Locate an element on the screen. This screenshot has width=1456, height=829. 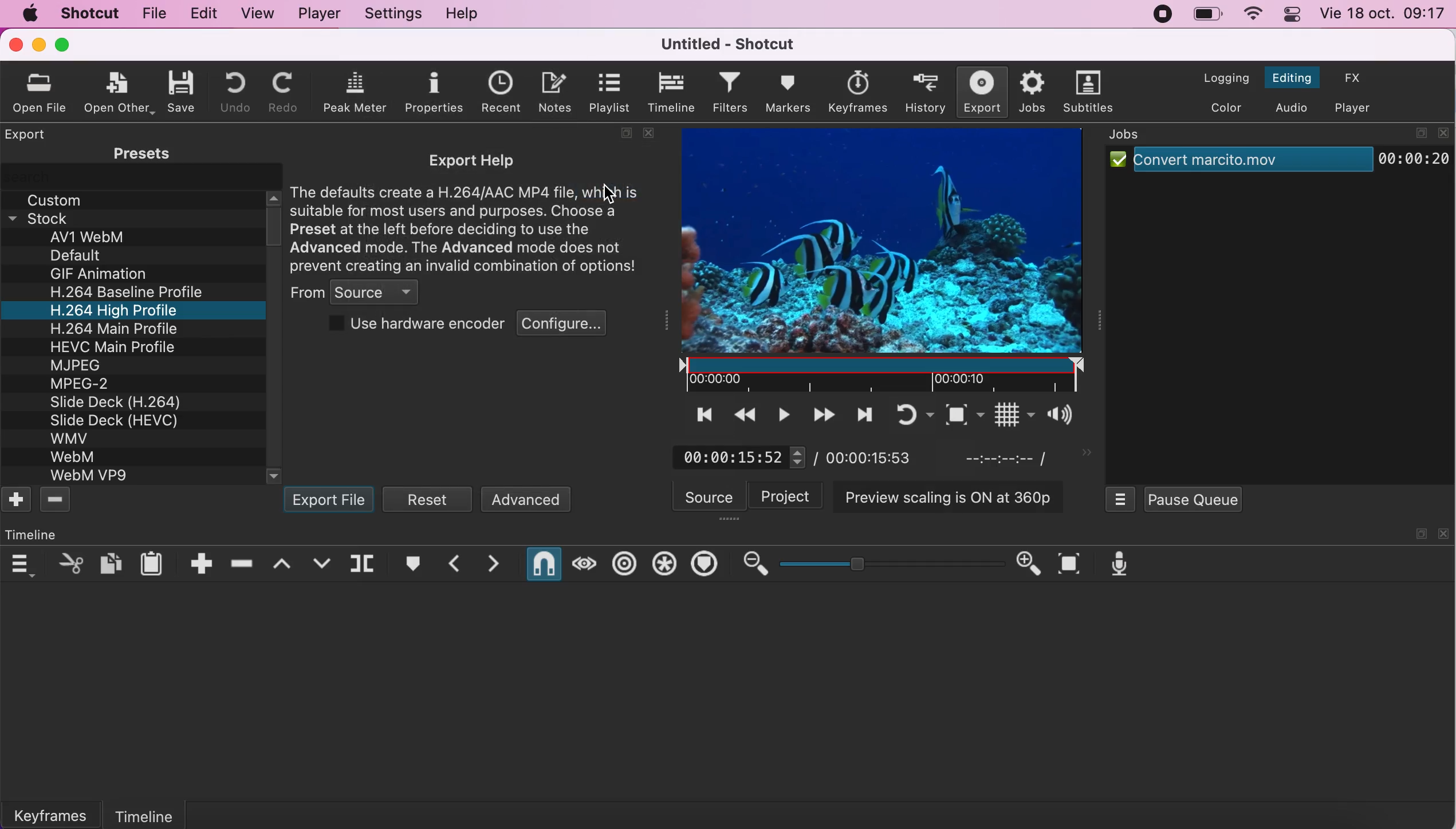
WebM is located at coordinates (77, 456).